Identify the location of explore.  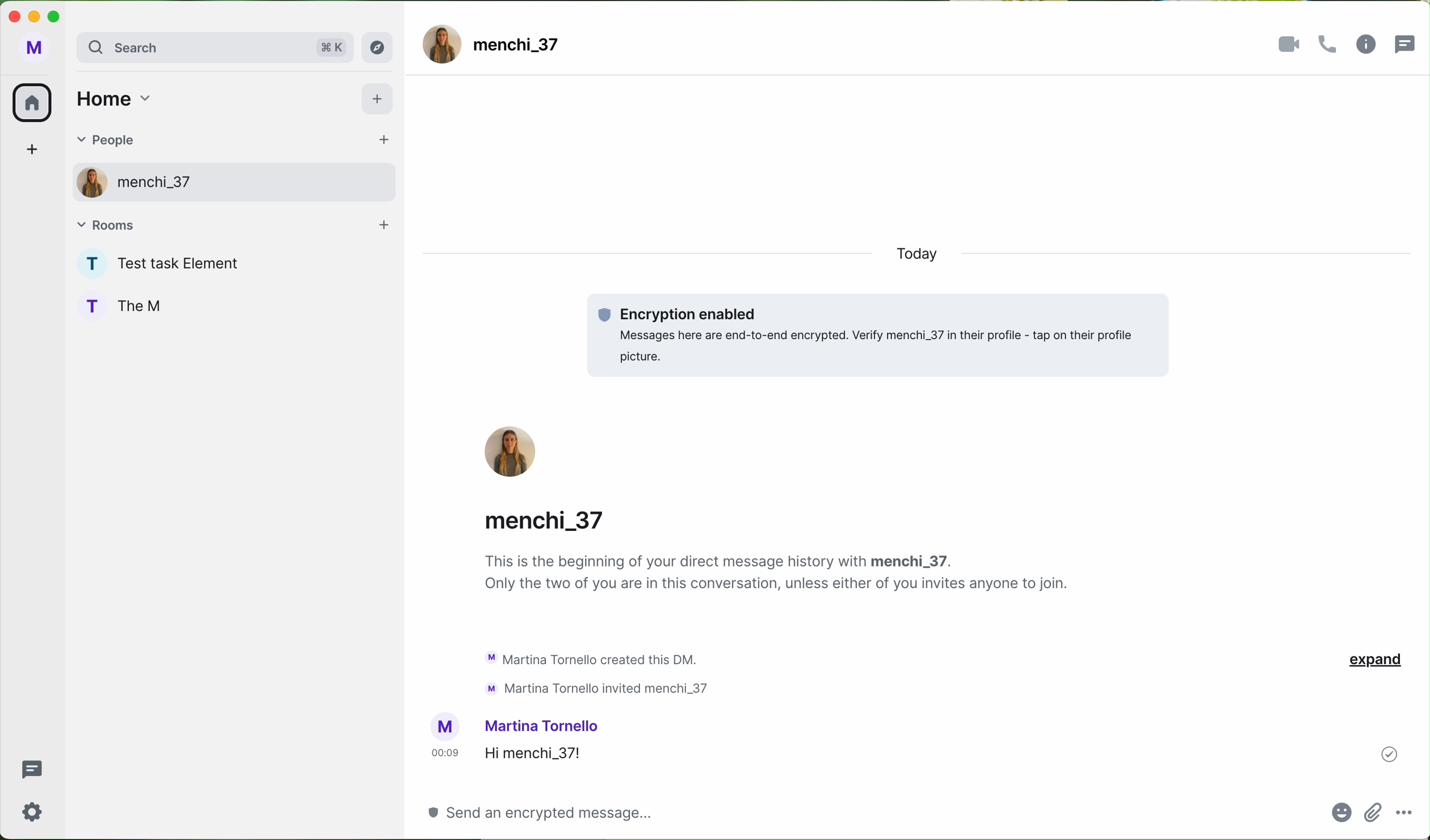
(381, 47).